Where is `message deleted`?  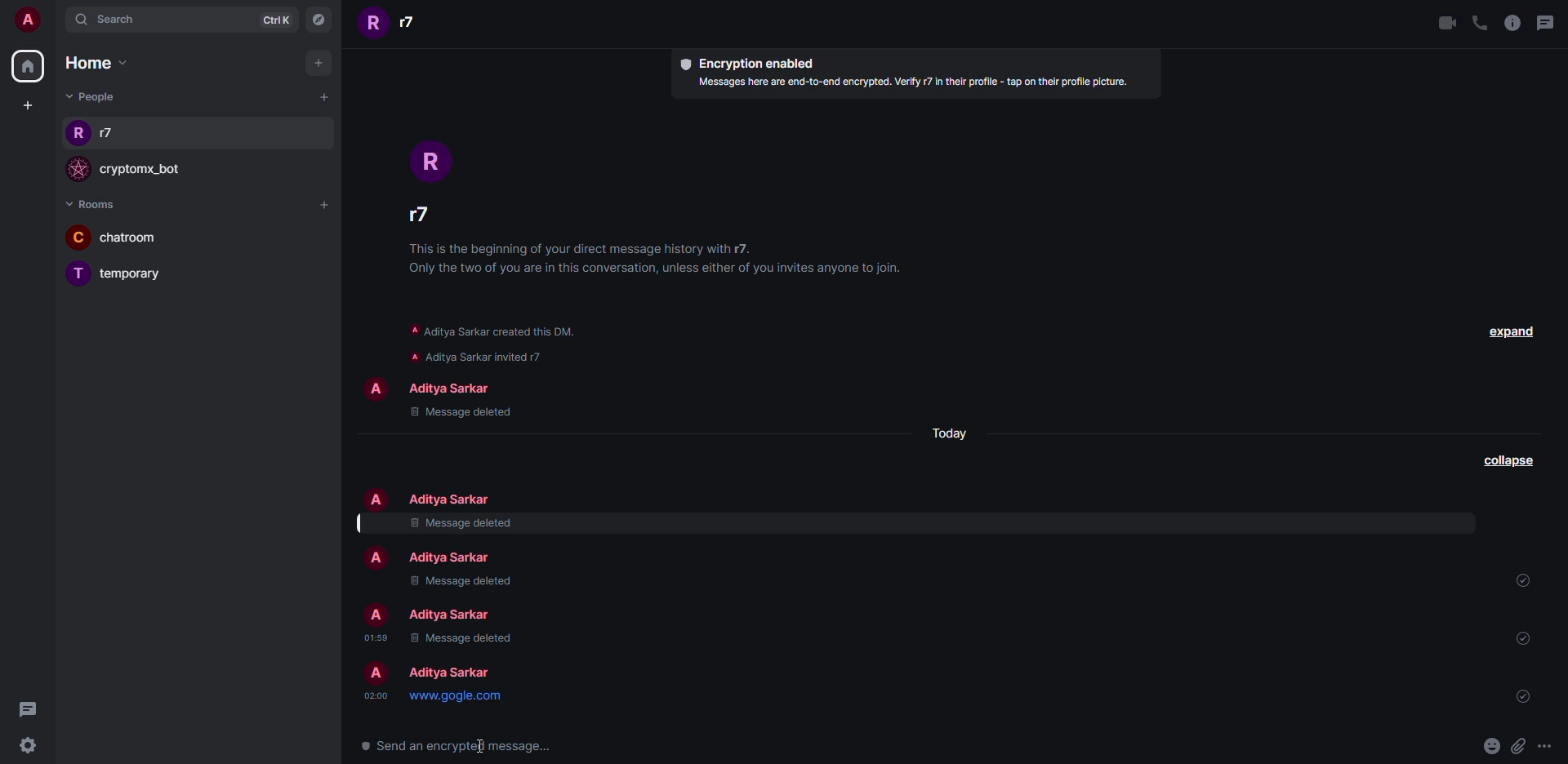 message deleted is located at coordinates (467, 641).